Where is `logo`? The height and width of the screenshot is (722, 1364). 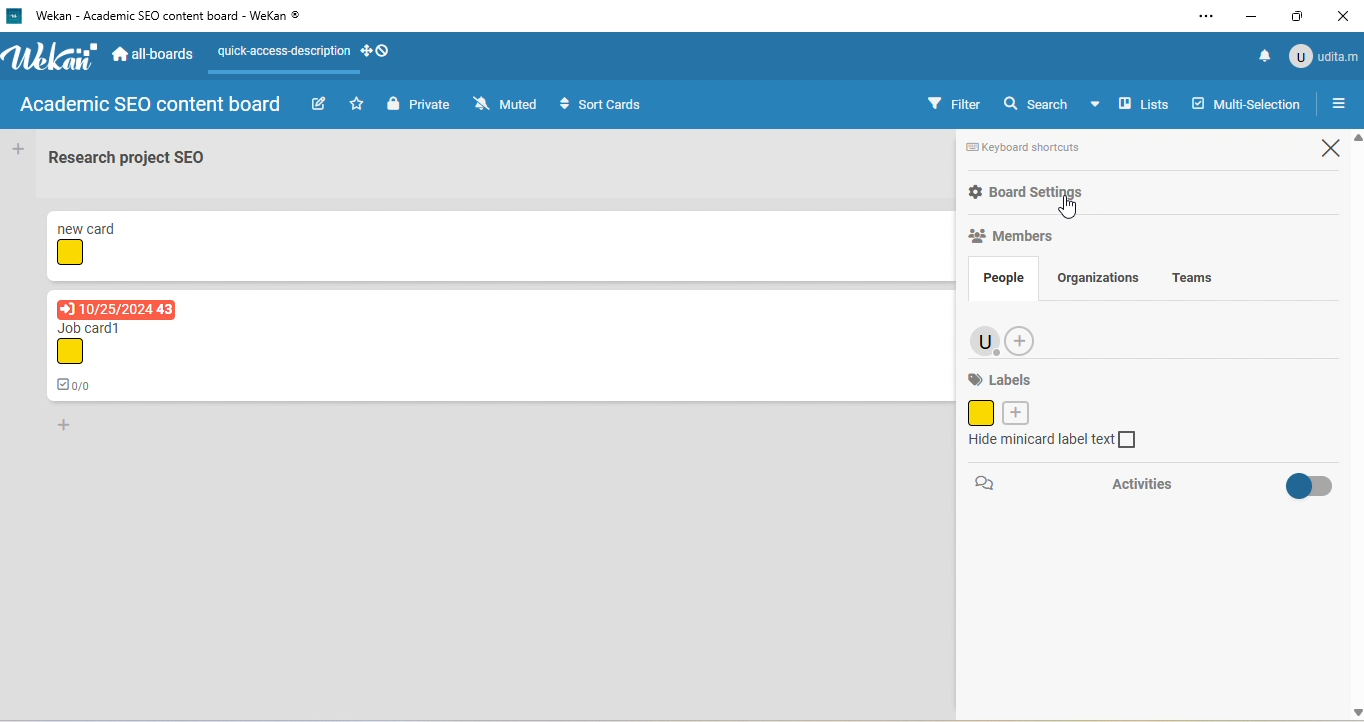 logo is located at coordinates (55, 57).